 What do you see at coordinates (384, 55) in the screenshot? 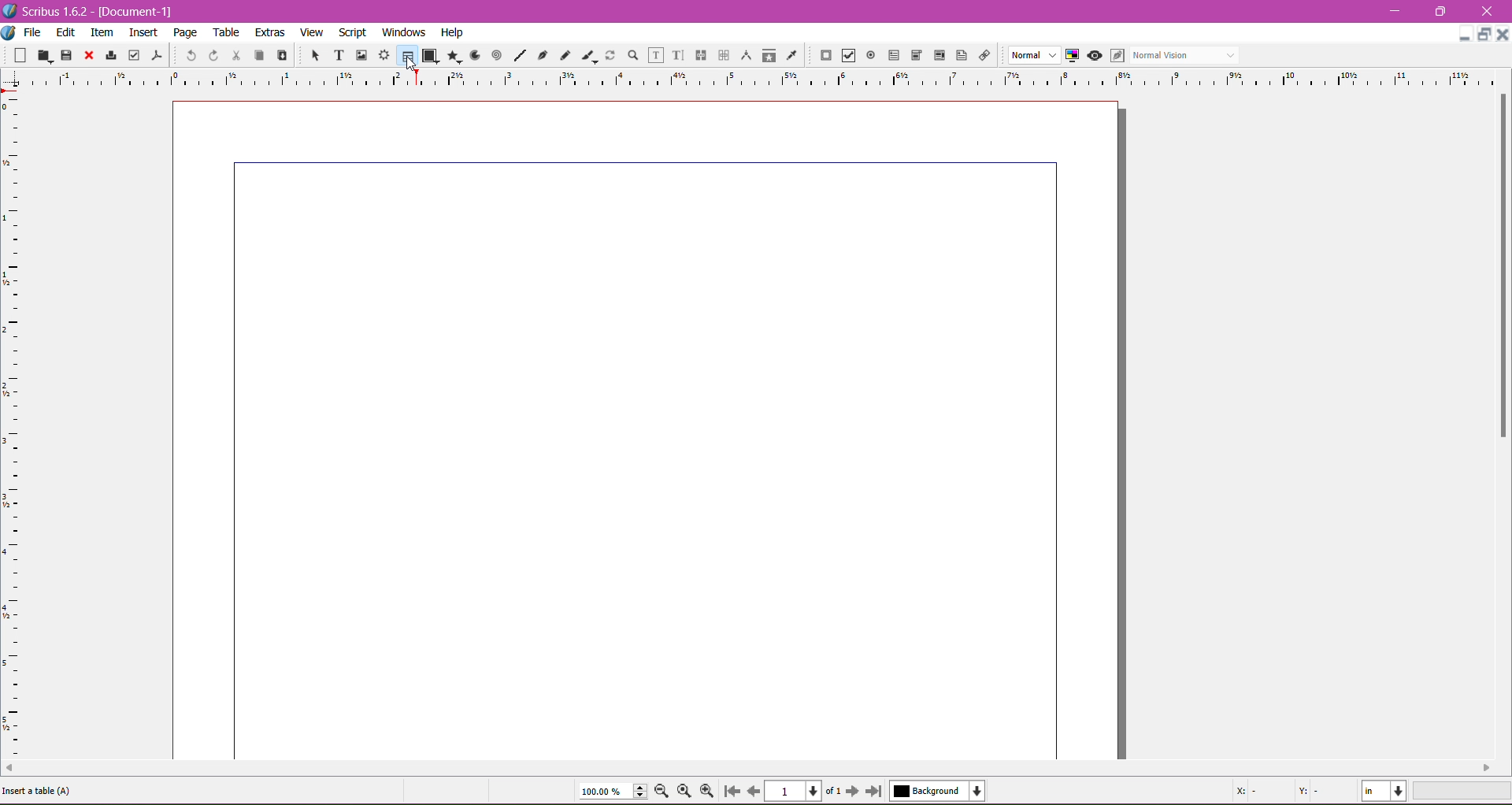
I see `Render Frame` at bounding box center [384, 55].